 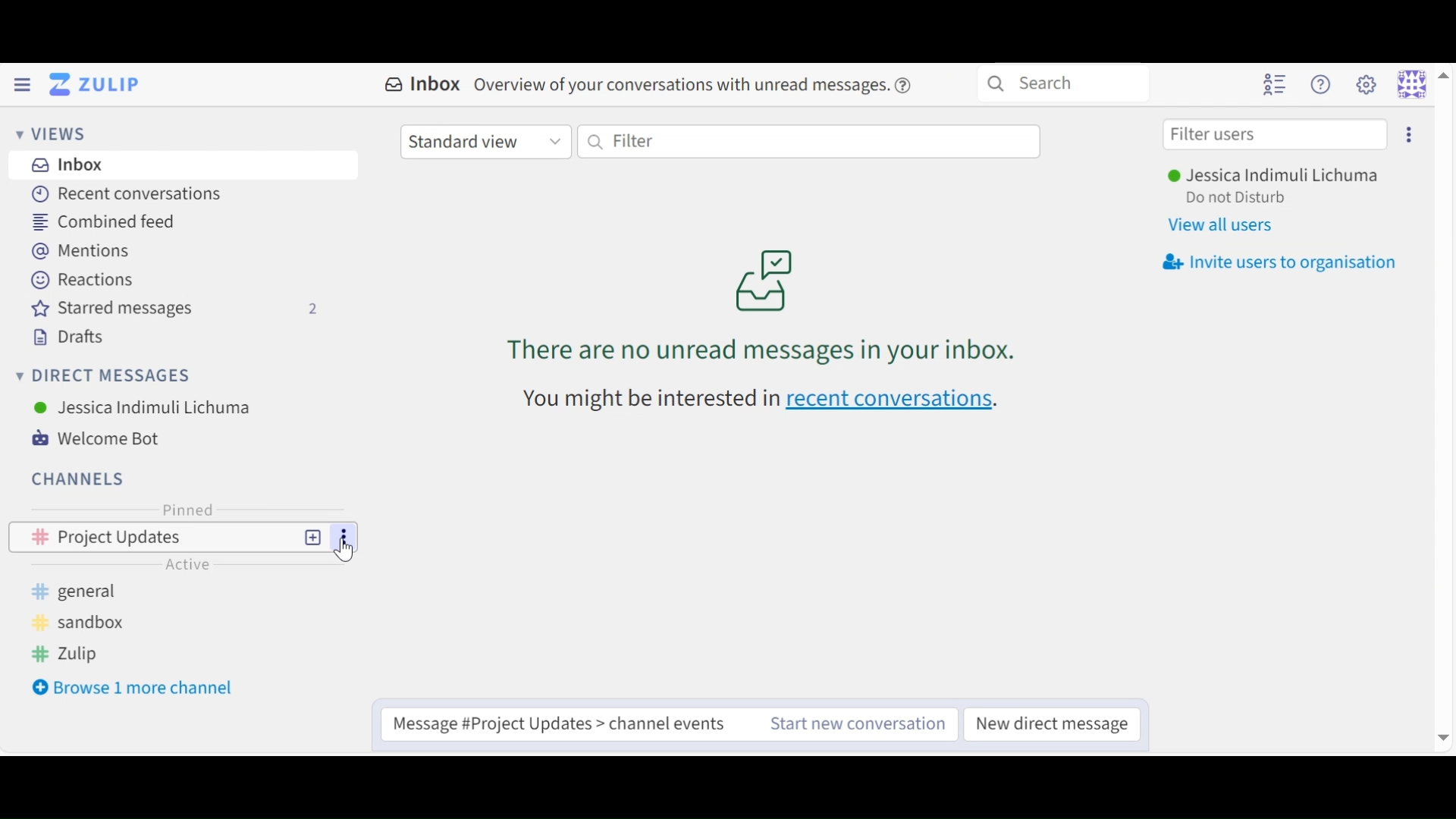 I want to click on Views, so click(x=49, y=134).